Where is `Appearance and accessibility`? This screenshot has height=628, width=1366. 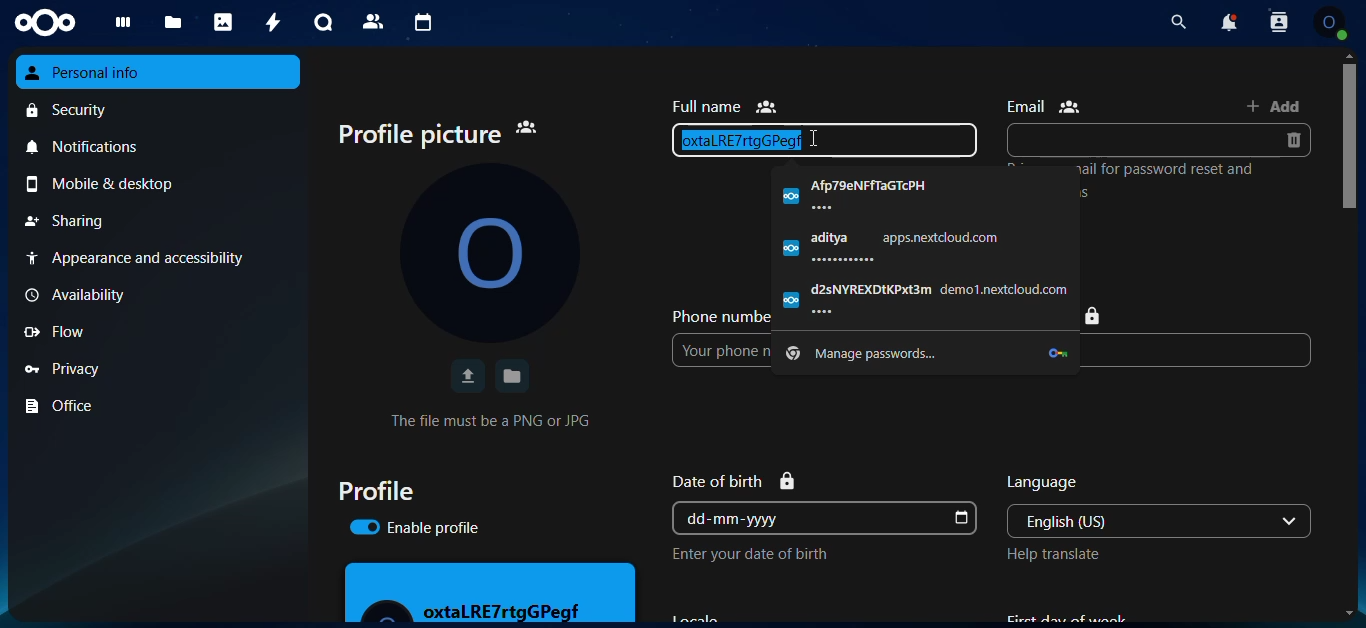 Appearance and accessibility is located at coordinates (157, 258).